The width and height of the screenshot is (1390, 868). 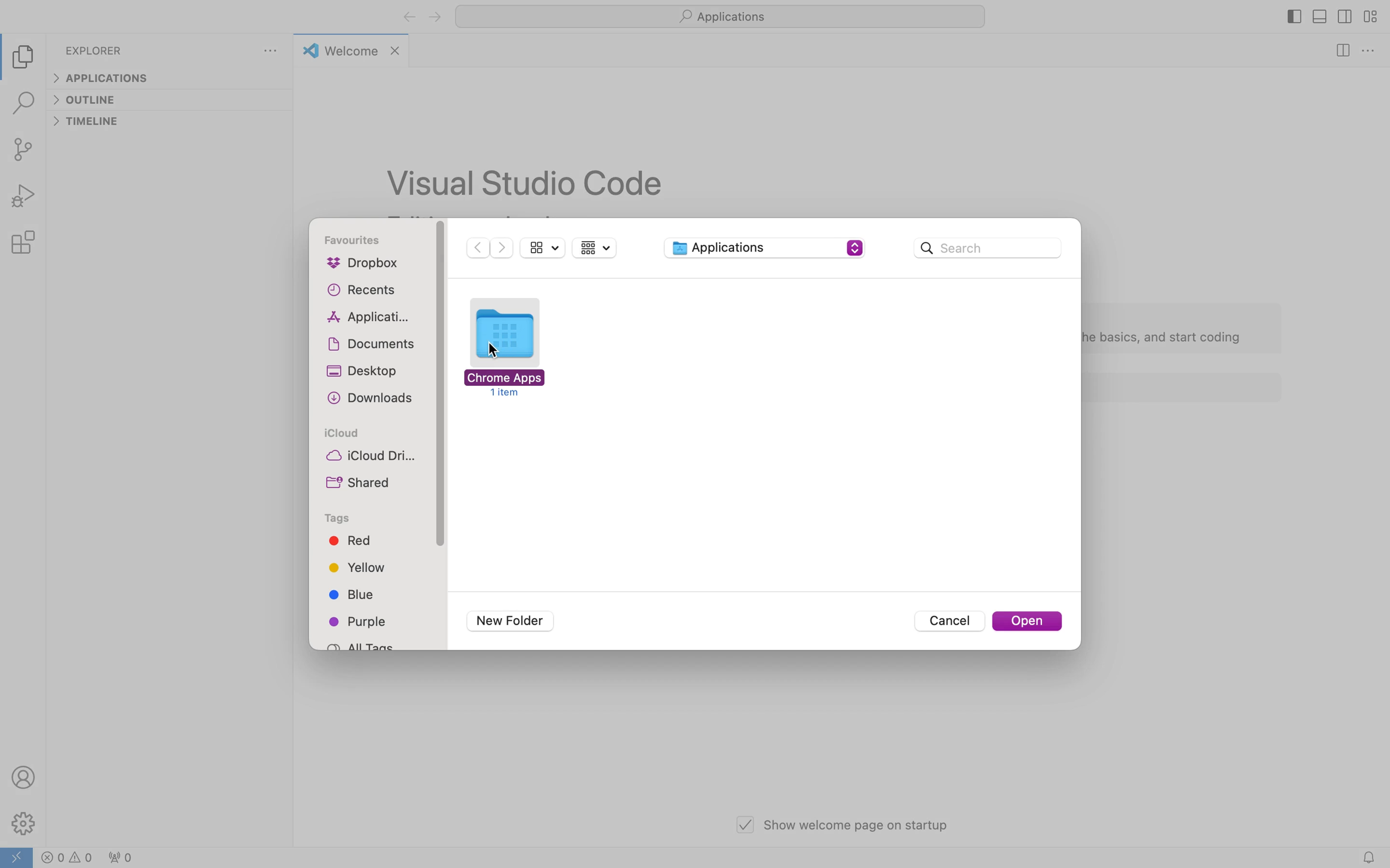 I want to click on profile, so click(x=23, y=776).